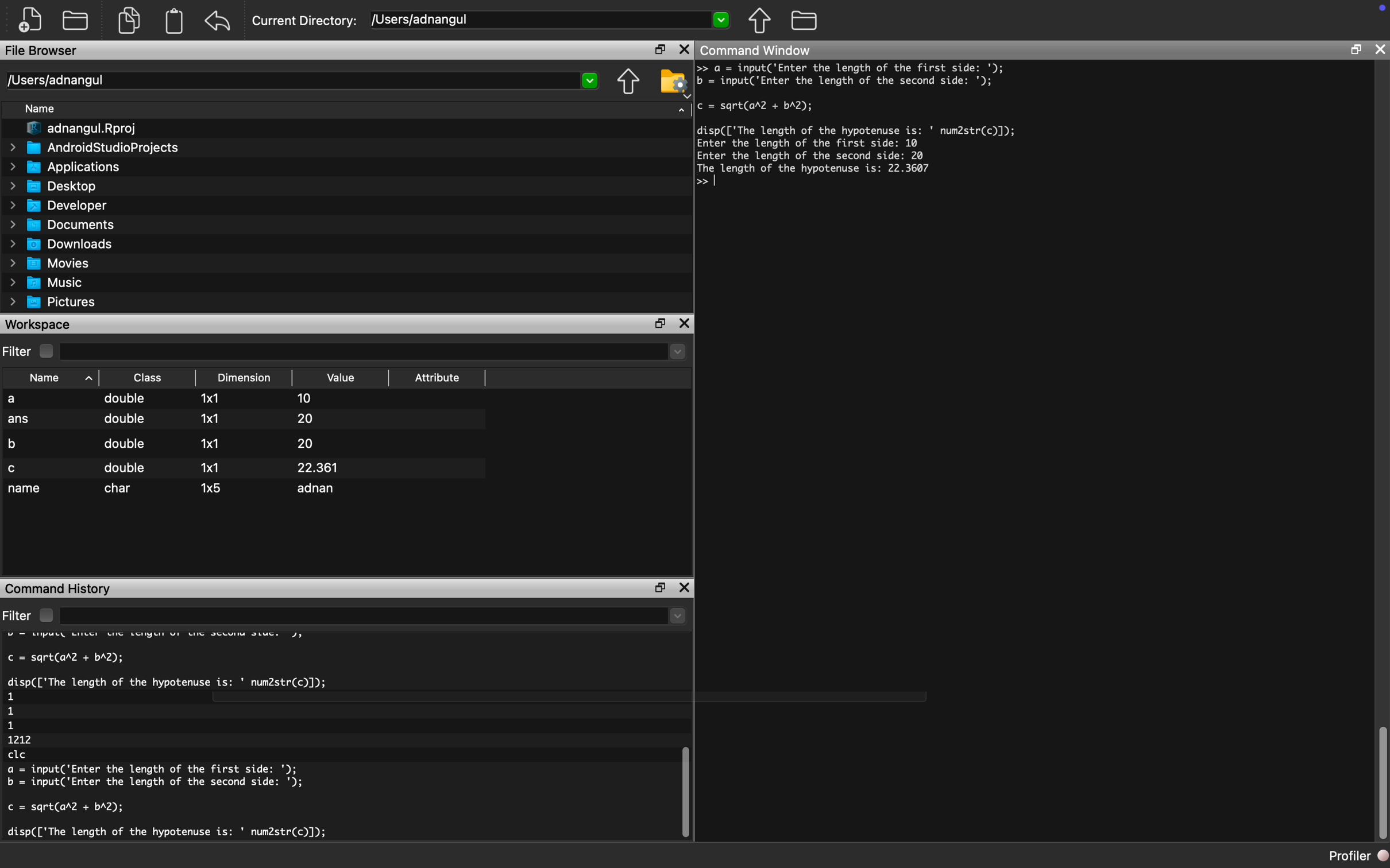 The image size is (1390, 868). I want to click on Class, so click(148, 377).